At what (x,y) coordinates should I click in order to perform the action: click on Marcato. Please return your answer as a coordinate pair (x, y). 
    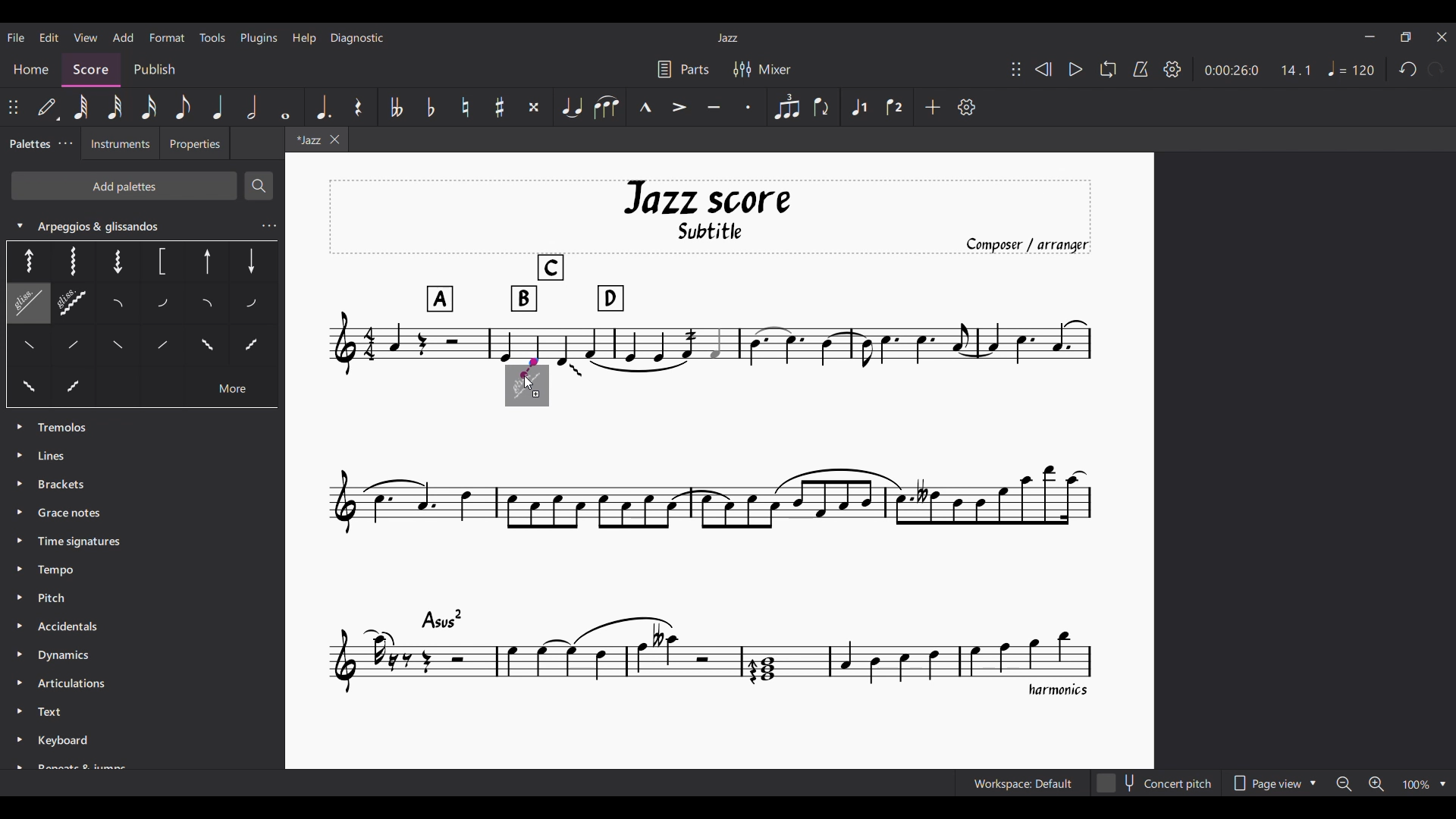
    Looking at the image, I should click on (645, 107).